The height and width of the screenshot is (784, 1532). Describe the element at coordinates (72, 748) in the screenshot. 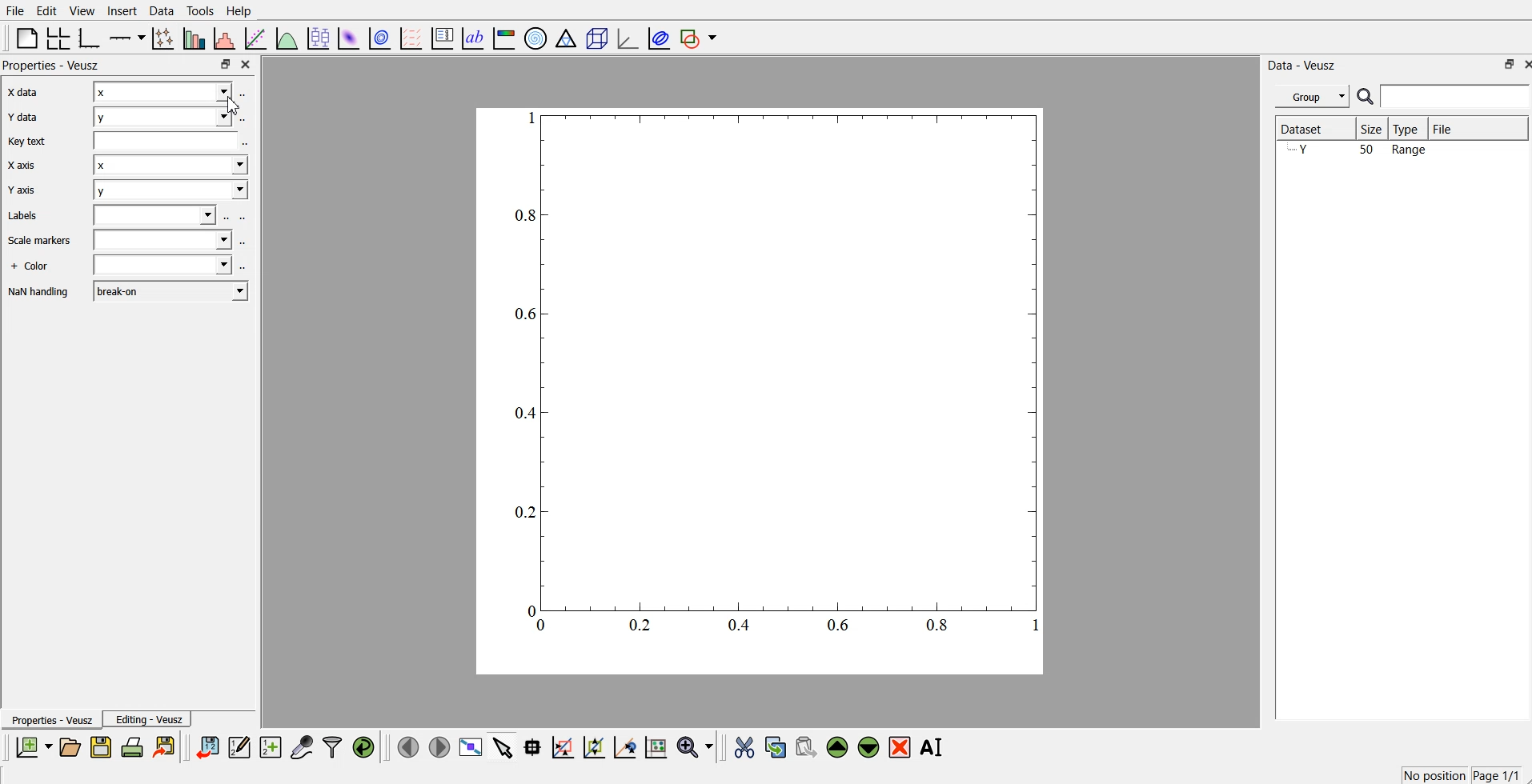

I see `open document` at that location.